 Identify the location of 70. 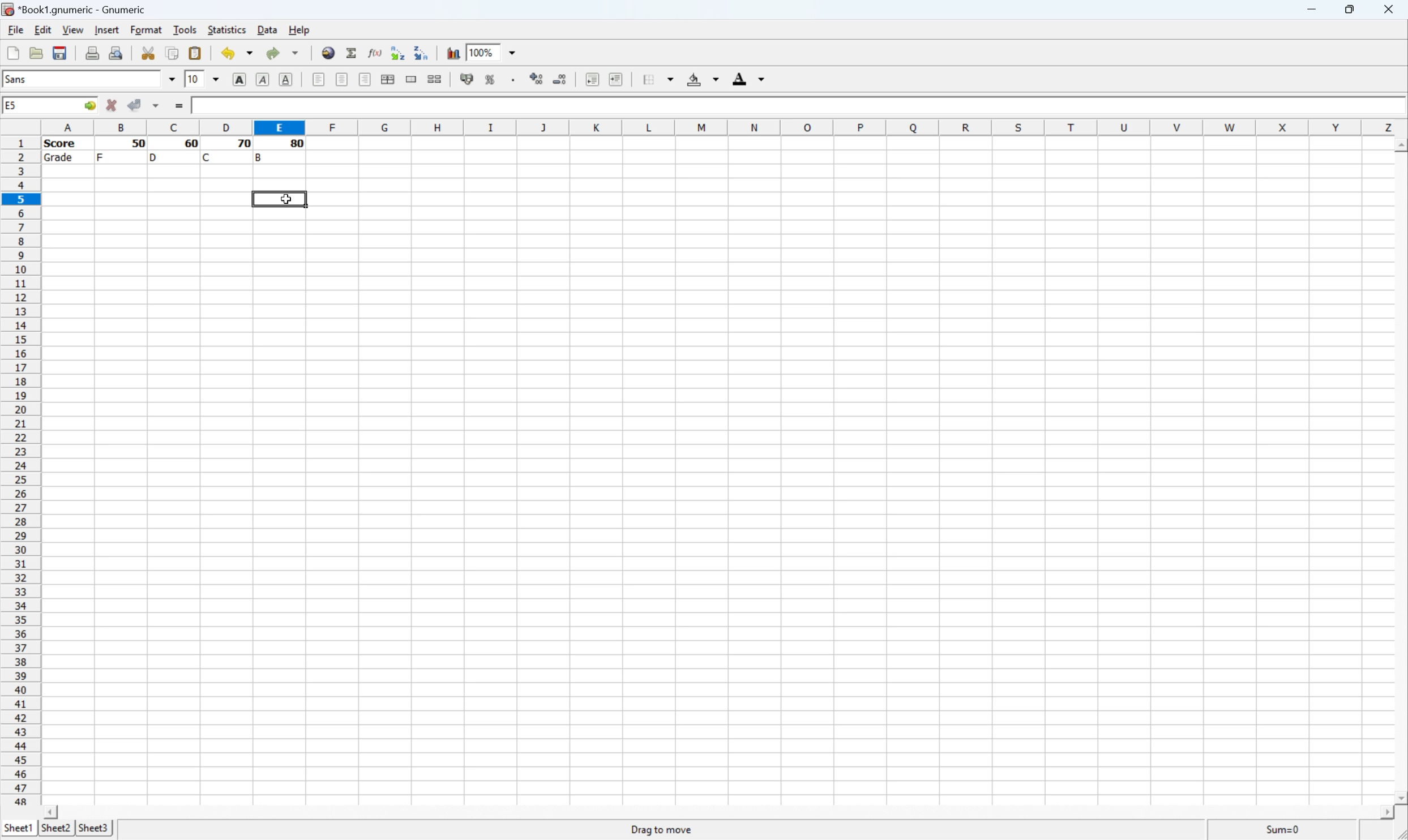
(241, 144).